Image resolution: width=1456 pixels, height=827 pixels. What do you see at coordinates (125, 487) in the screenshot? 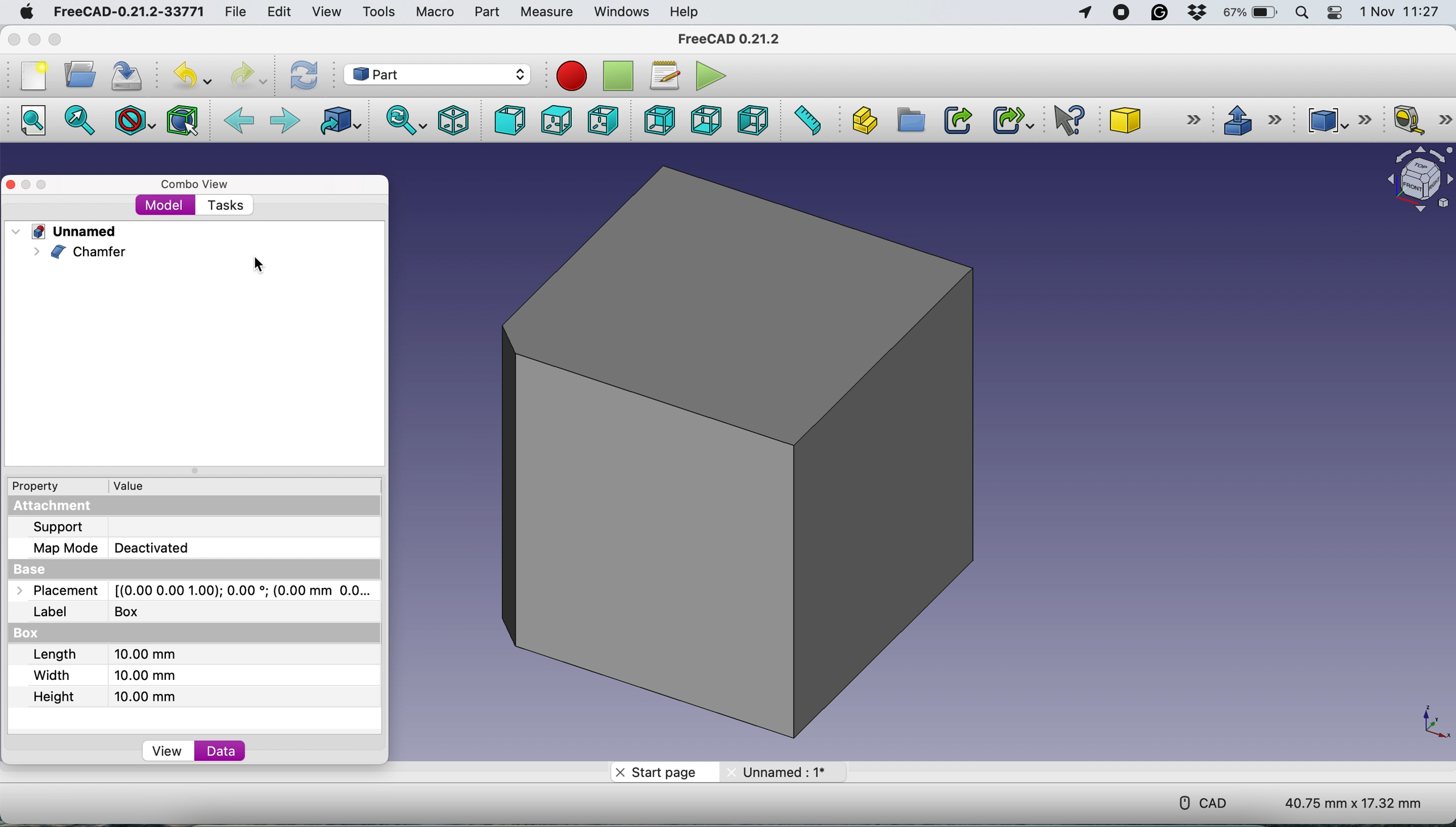
I see `value` at bounding box center [125, 487].